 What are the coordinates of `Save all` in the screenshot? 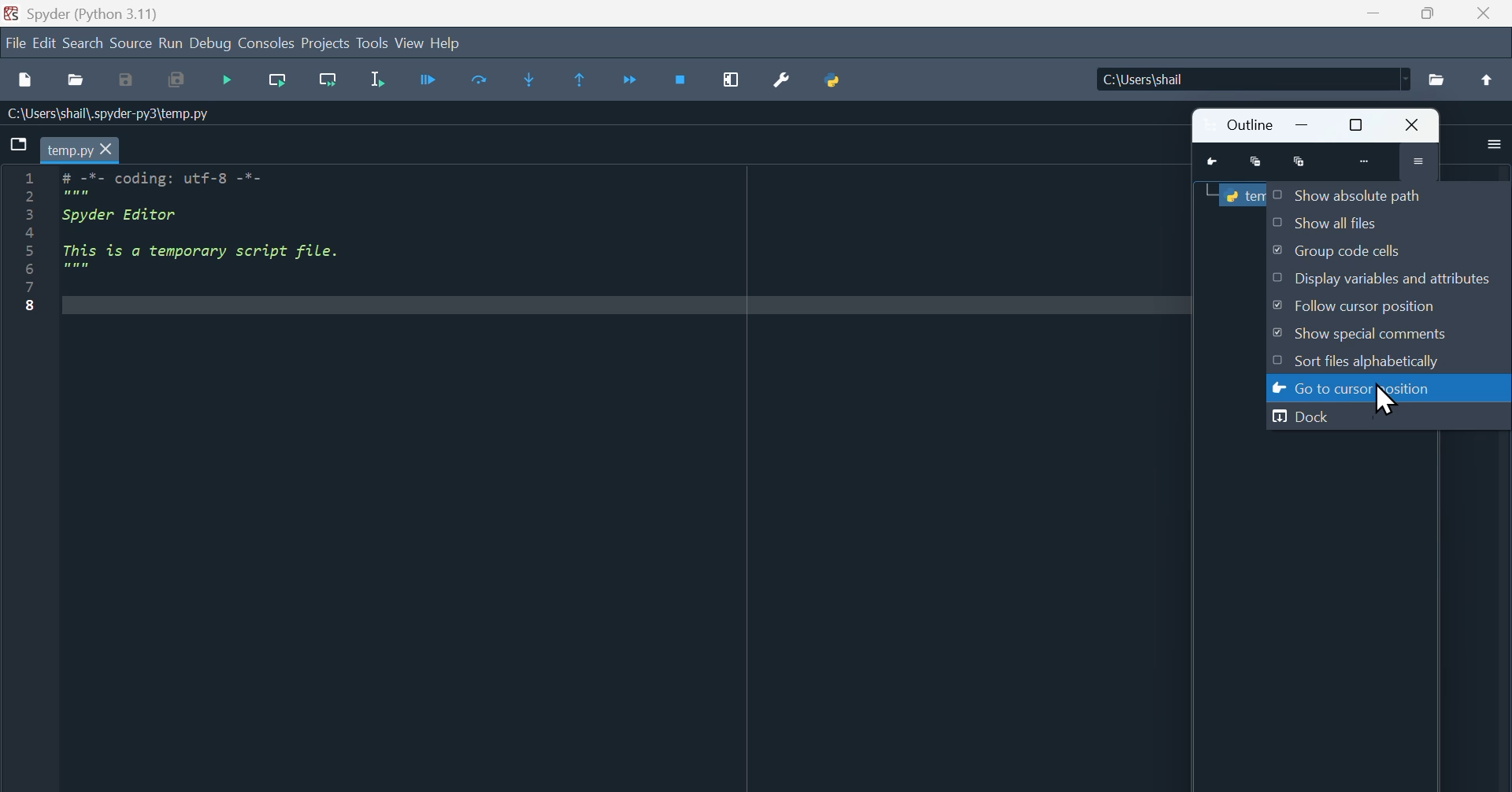 It's located at (176, 80).